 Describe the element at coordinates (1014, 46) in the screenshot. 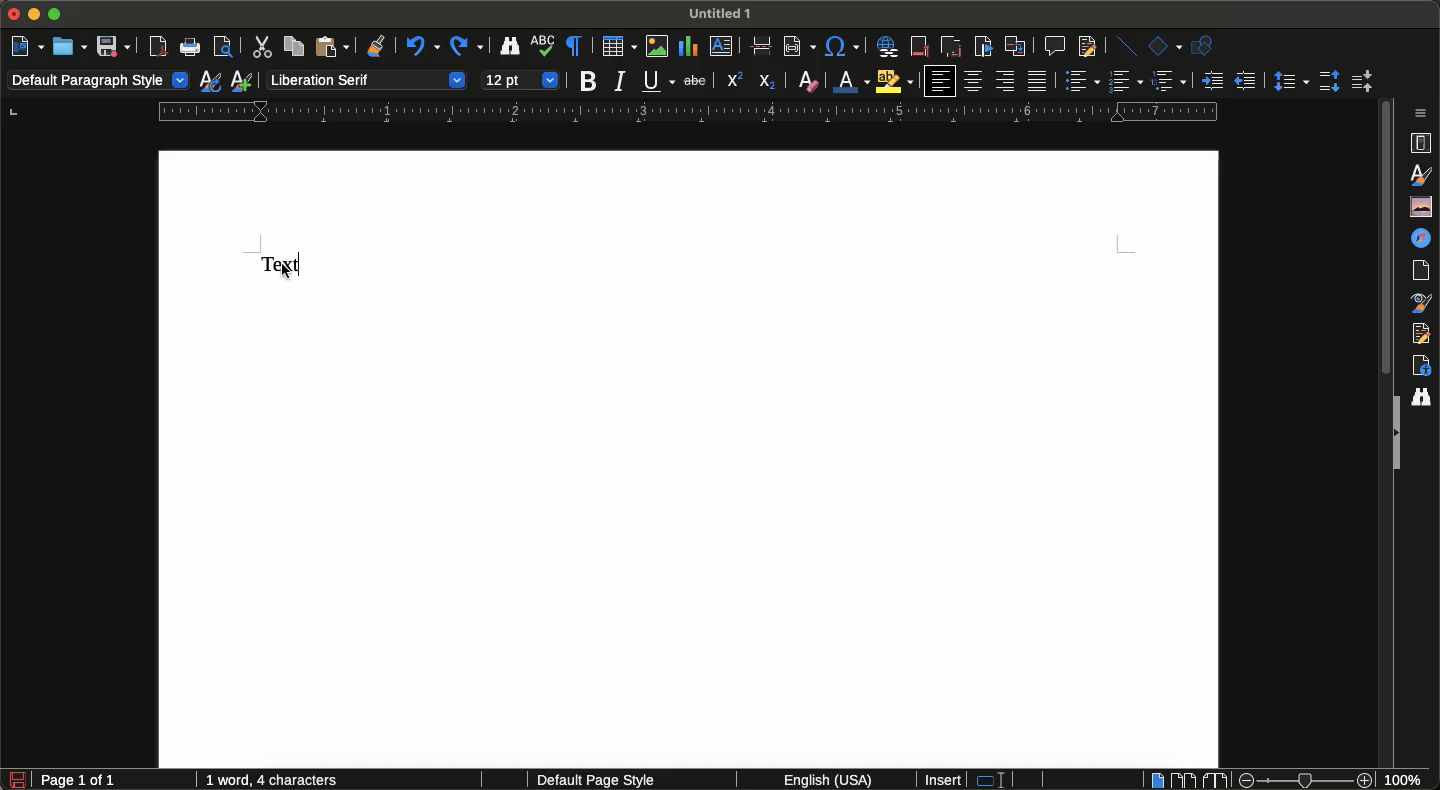

I see `Insert cross-reference` at that location.